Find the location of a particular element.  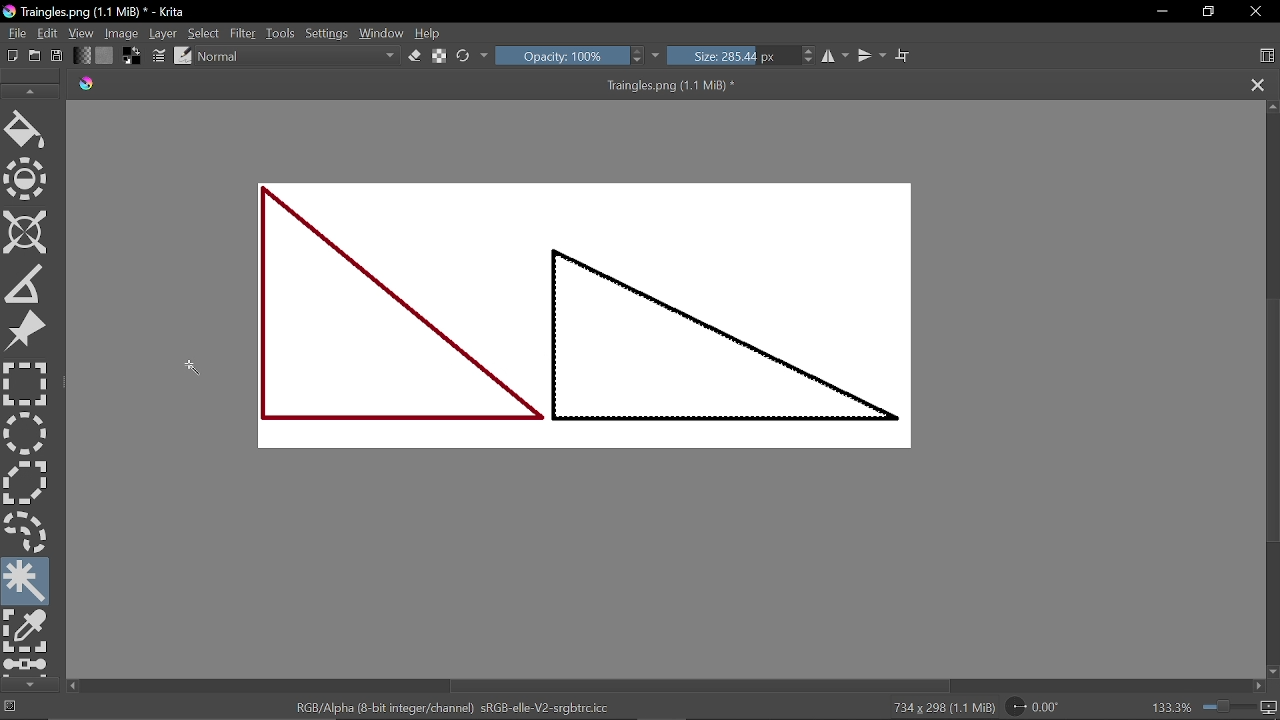

Settings is located at coordinates (329, 33).